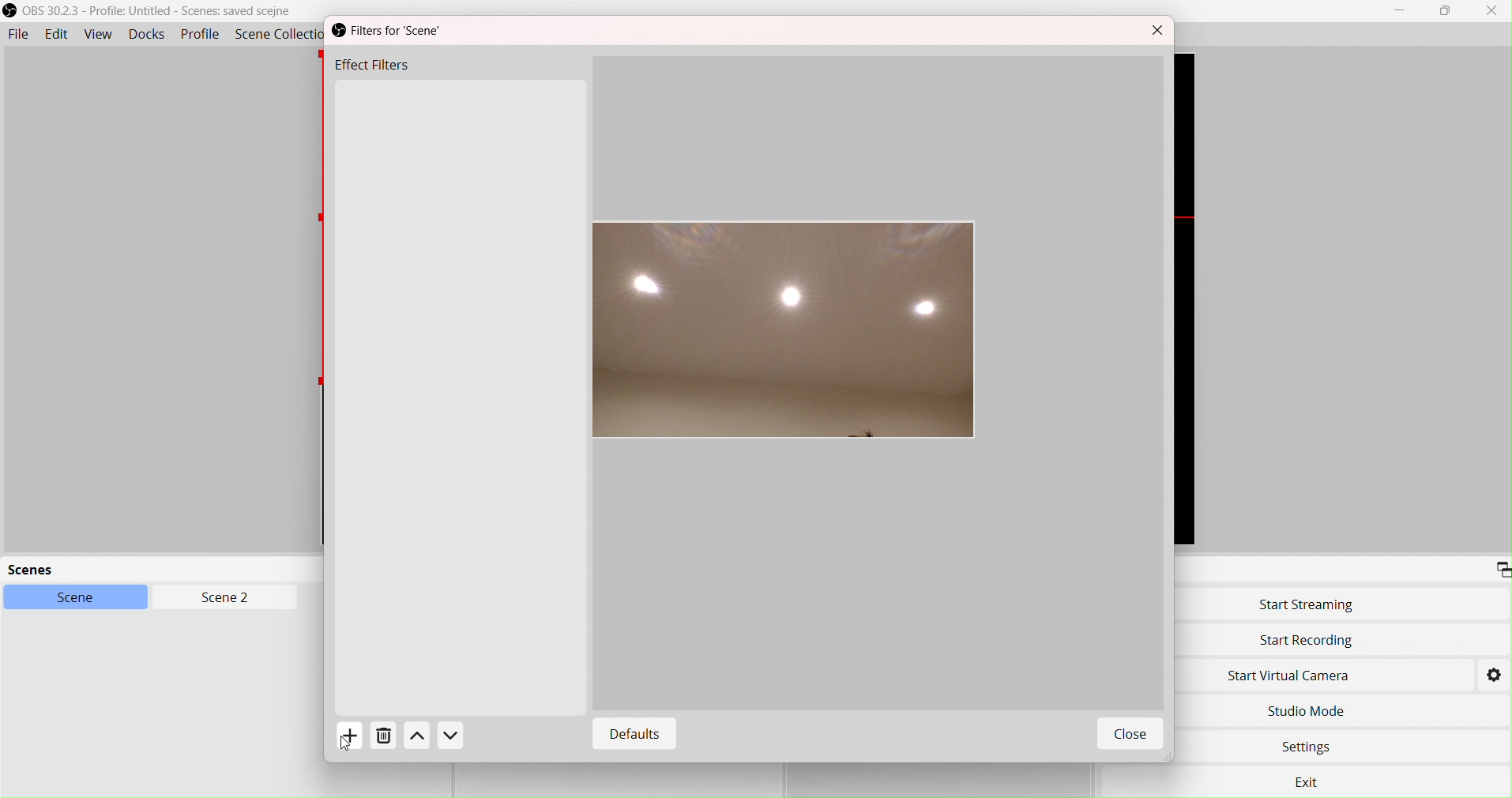  Describe the element at coordinates (1491, 10) in the screenshot. I see `Close` at that location.